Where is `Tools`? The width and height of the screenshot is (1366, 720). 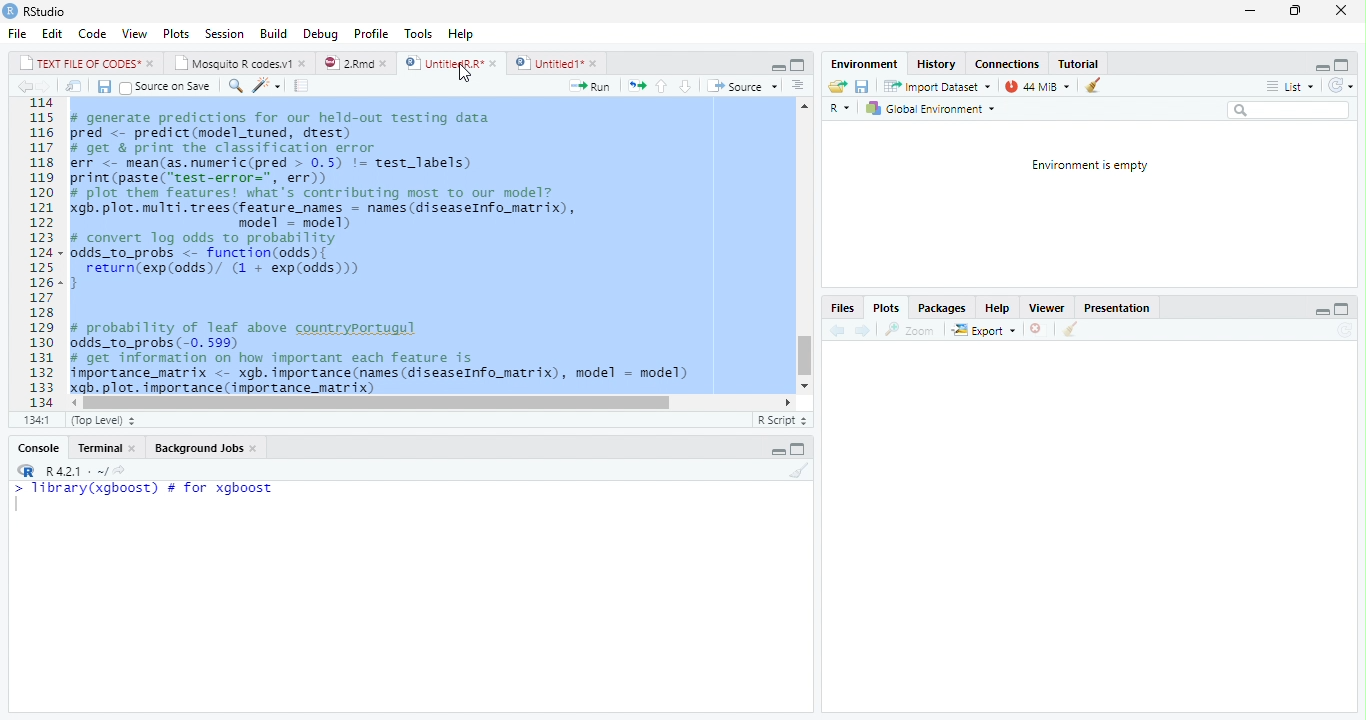
Tools is located at coordinates (418, 33).